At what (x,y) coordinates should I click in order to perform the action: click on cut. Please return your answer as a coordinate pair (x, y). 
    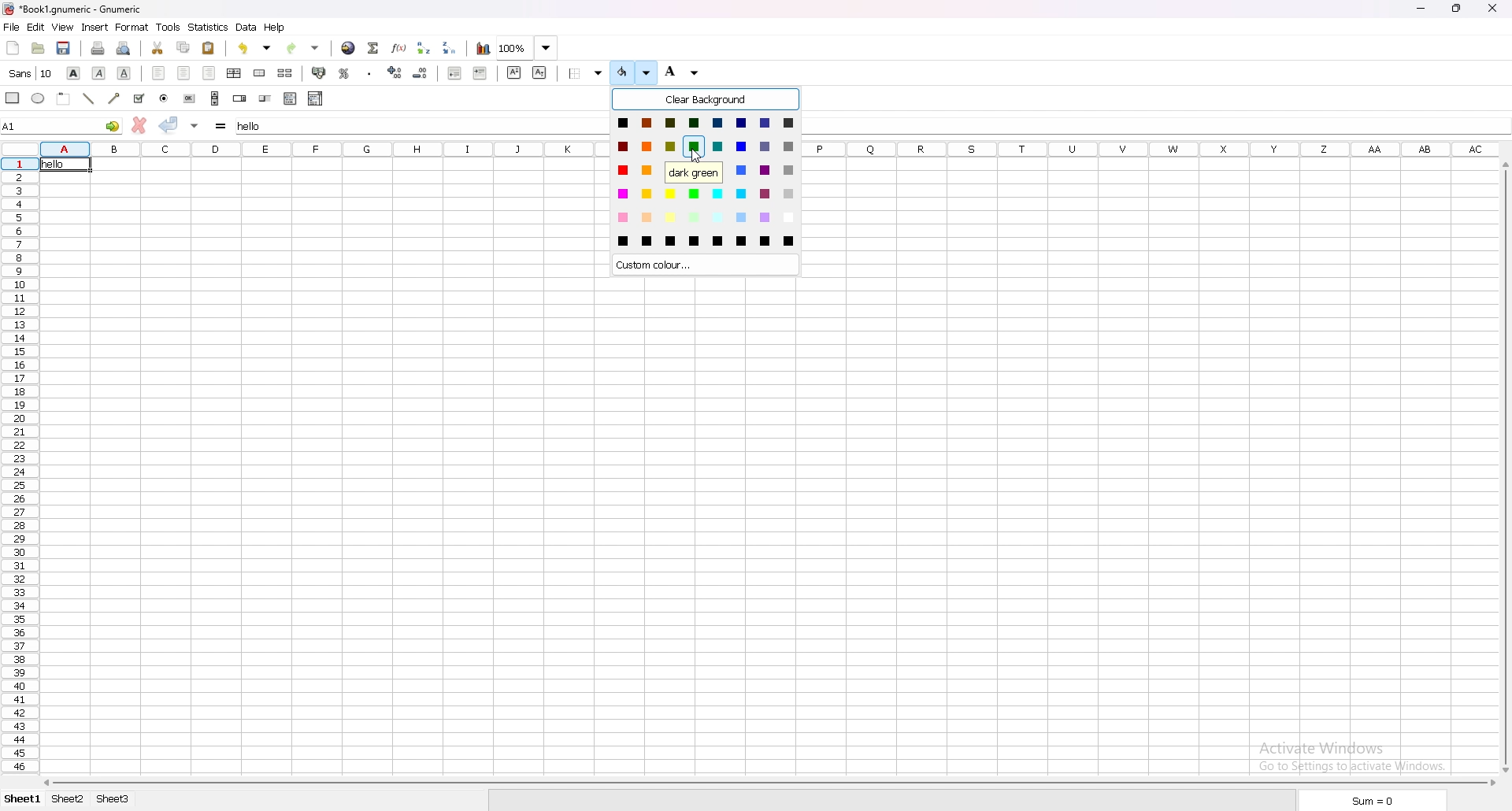
    Looking at the image, I should click on (157, 49).